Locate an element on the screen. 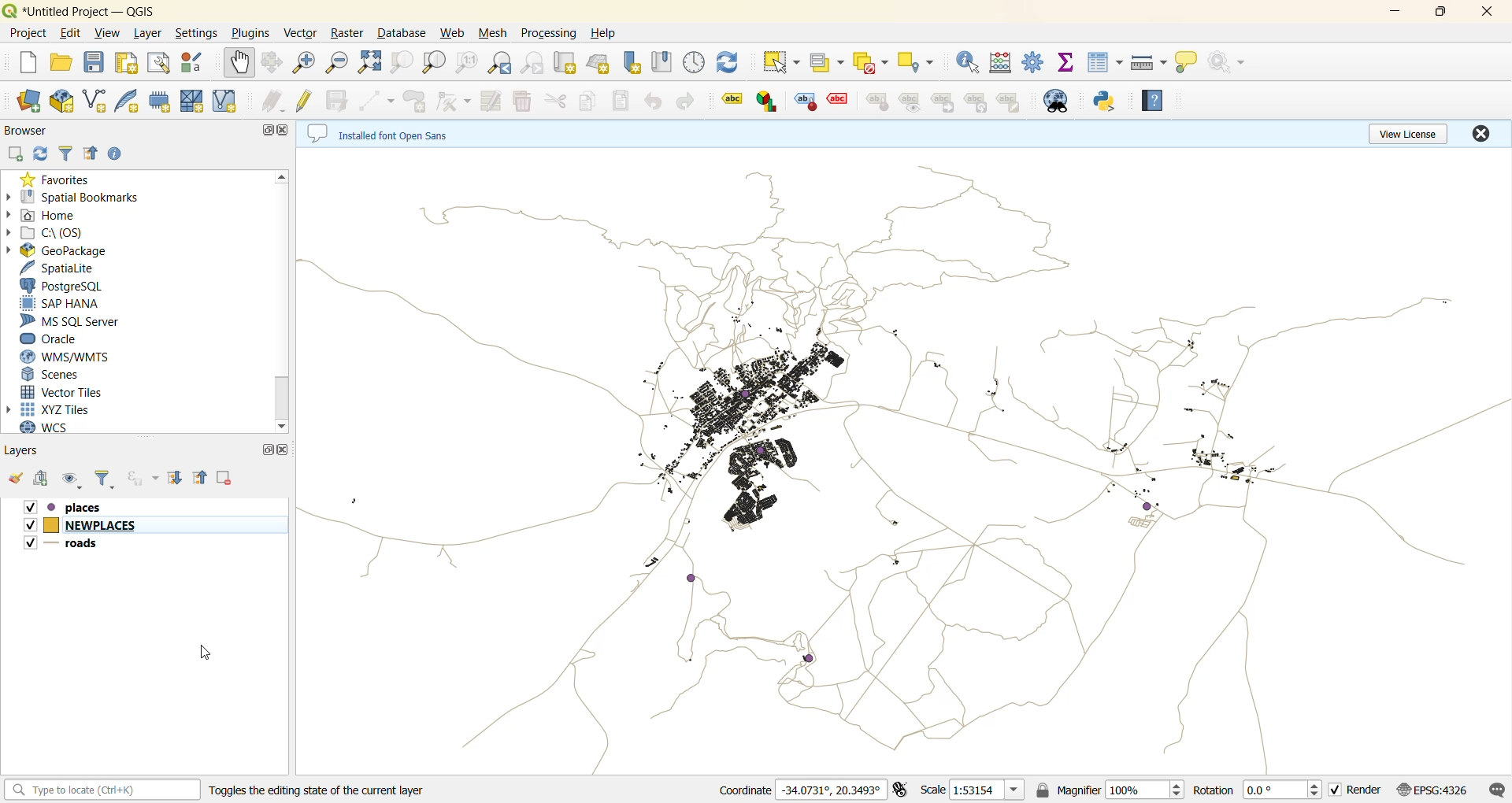 The image size is (1512, 803). zoom layer is located at coordinates (432, 62).